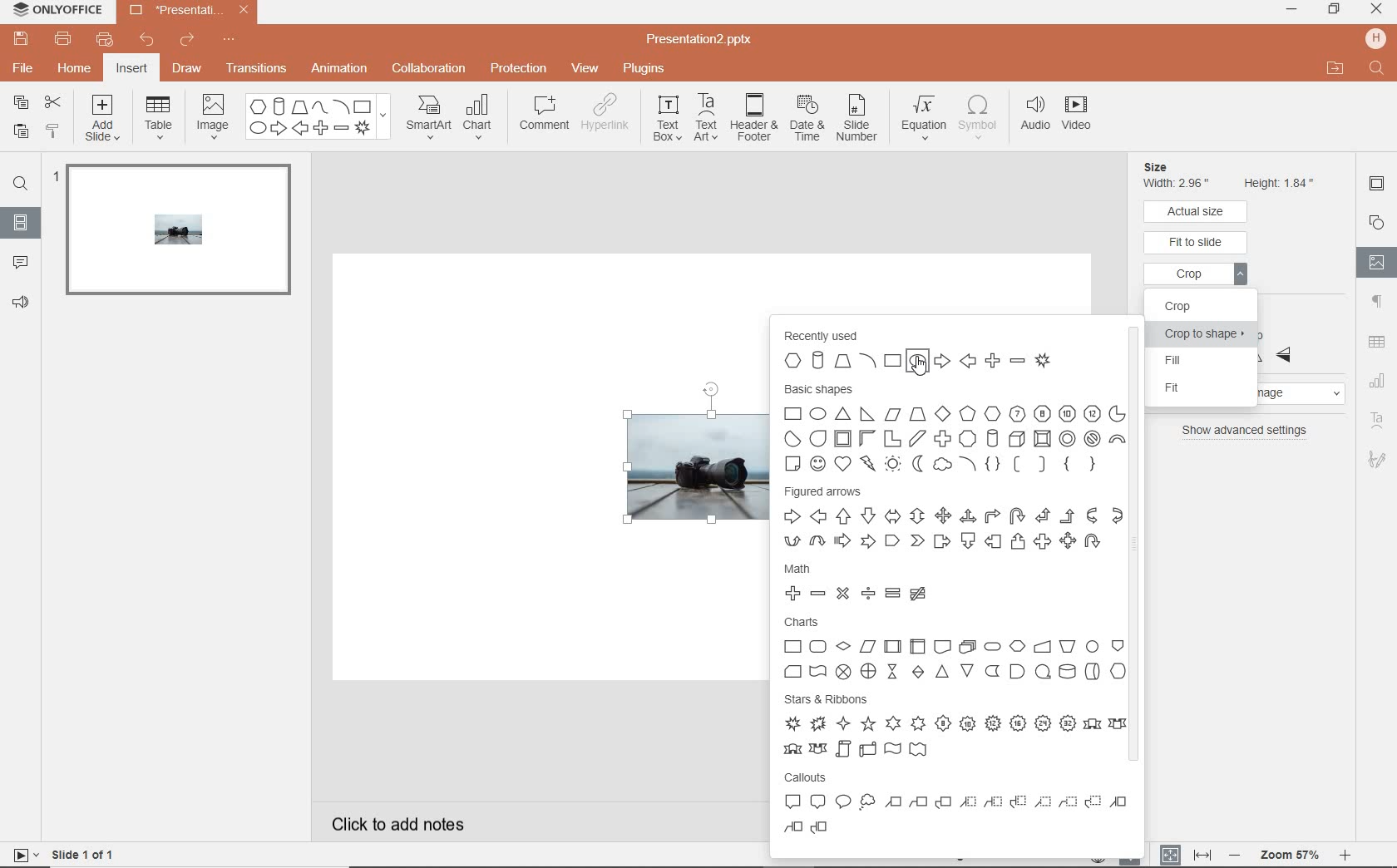  I want to click on animation, so click(340, 69).